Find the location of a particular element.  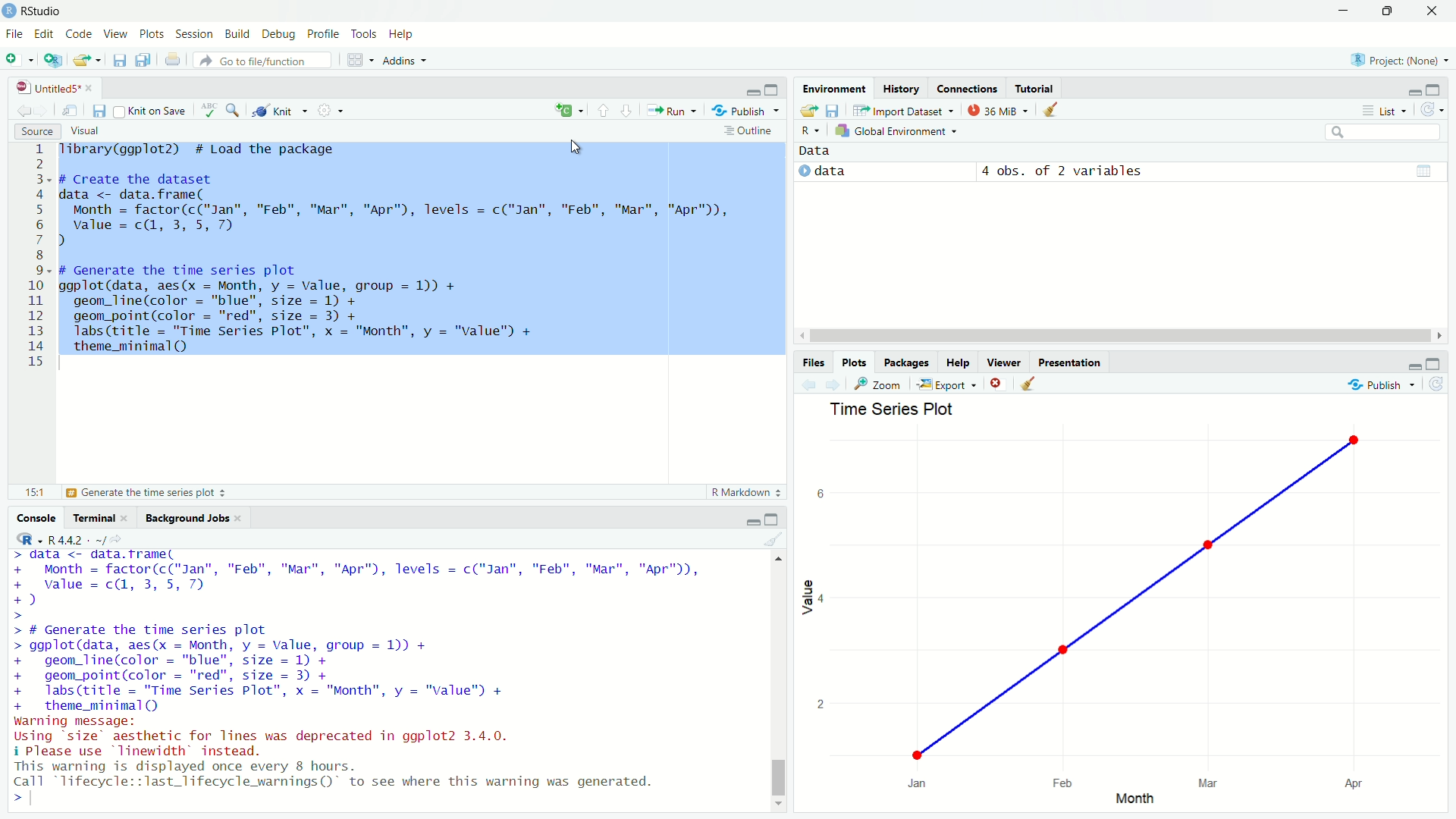

typing cursor is located at coordinates (68, 365).